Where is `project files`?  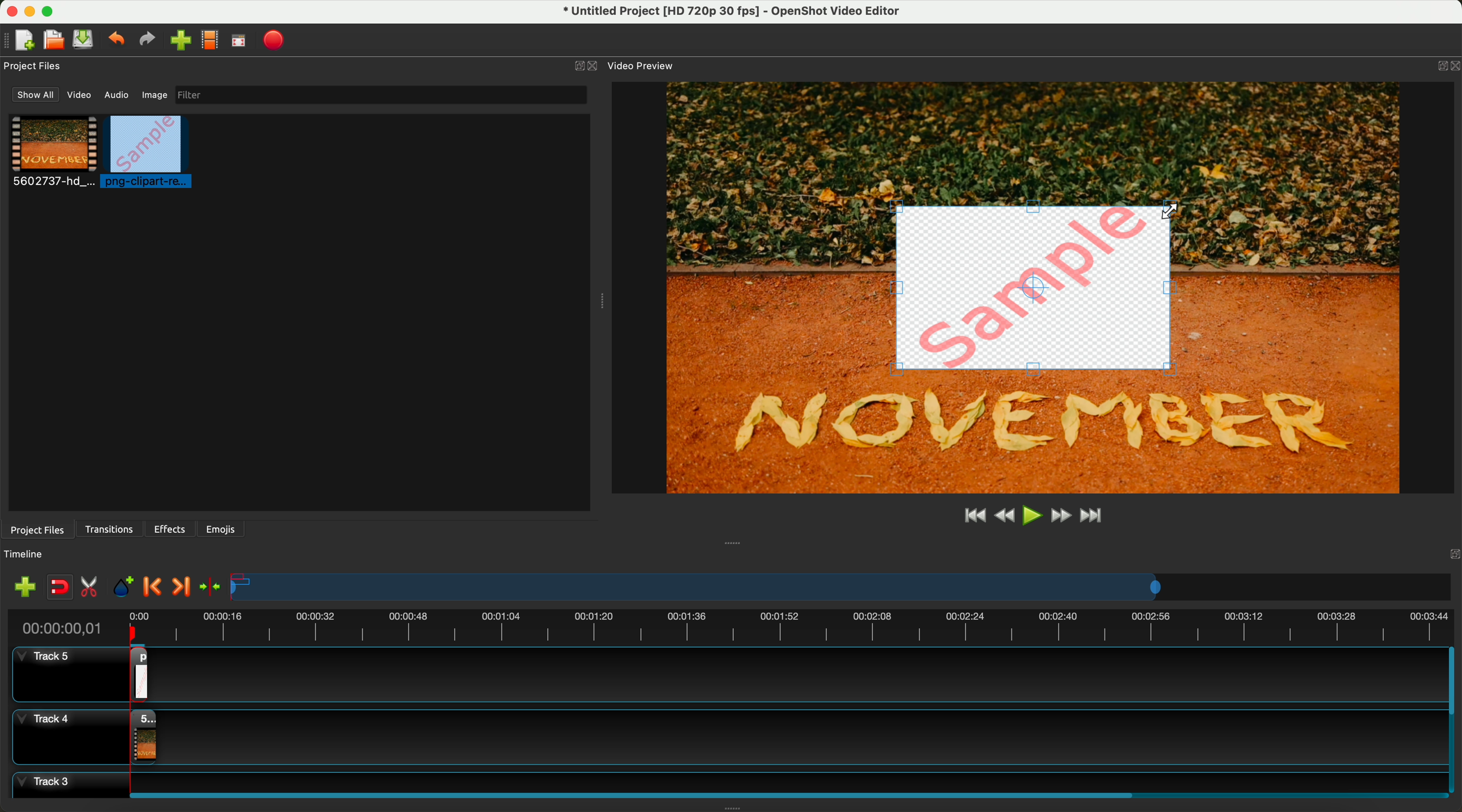
project files is located at coordinates (34, 66).